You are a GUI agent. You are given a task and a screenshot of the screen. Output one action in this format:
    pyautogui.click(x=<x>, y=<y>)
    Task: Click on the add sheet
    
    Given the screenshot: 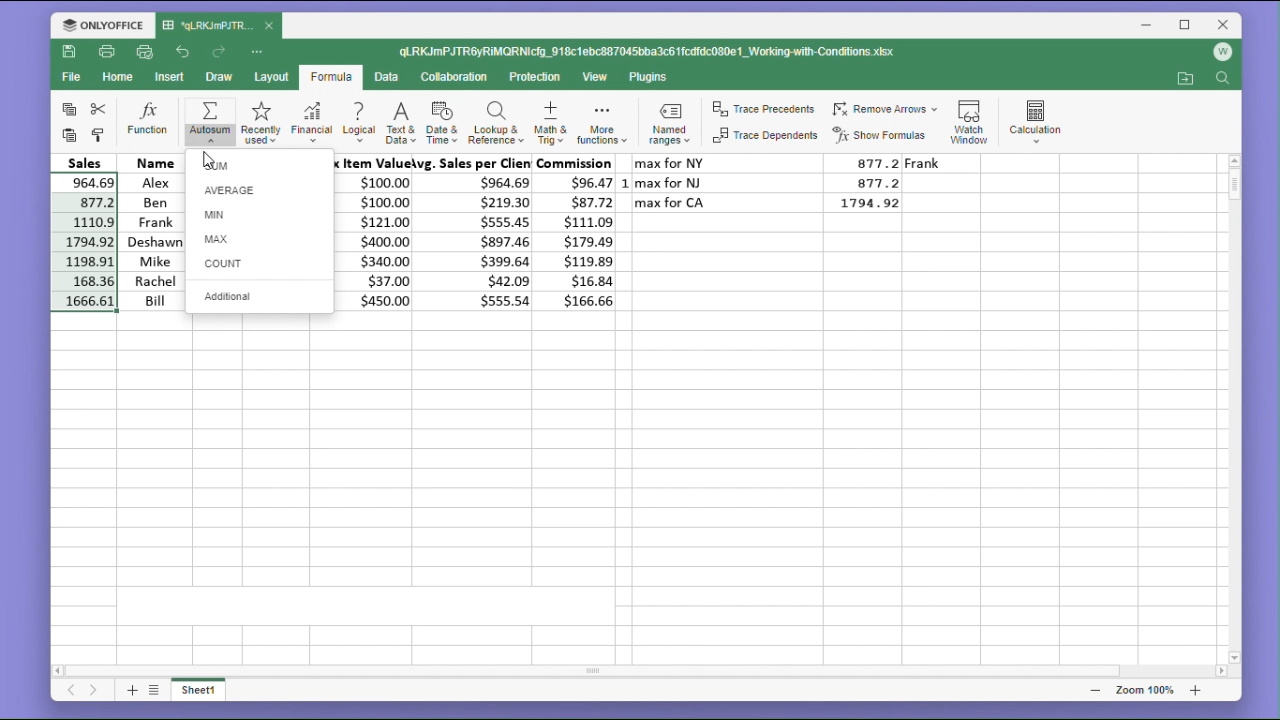 What is the action you would take?
    pyautogui.click(x=130, y=690)
    